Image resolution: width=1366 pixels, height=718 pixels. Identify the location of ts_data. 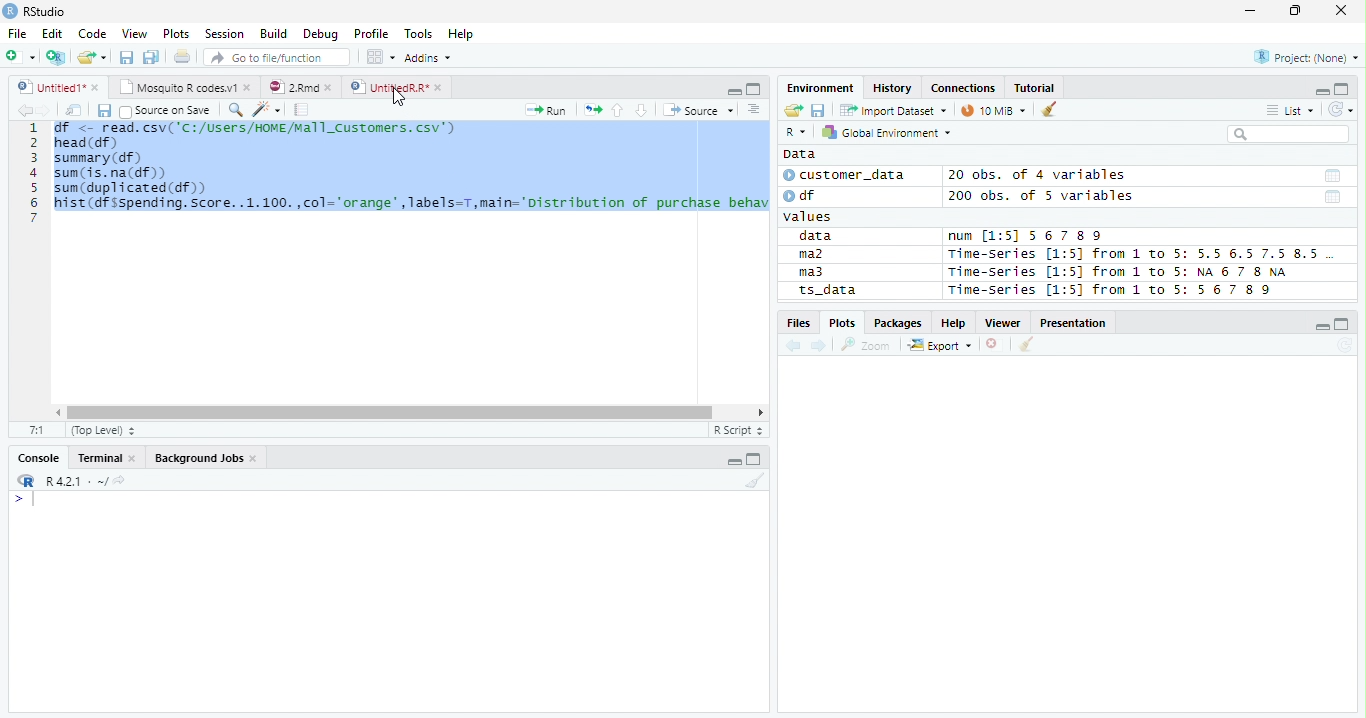
(855, 293).